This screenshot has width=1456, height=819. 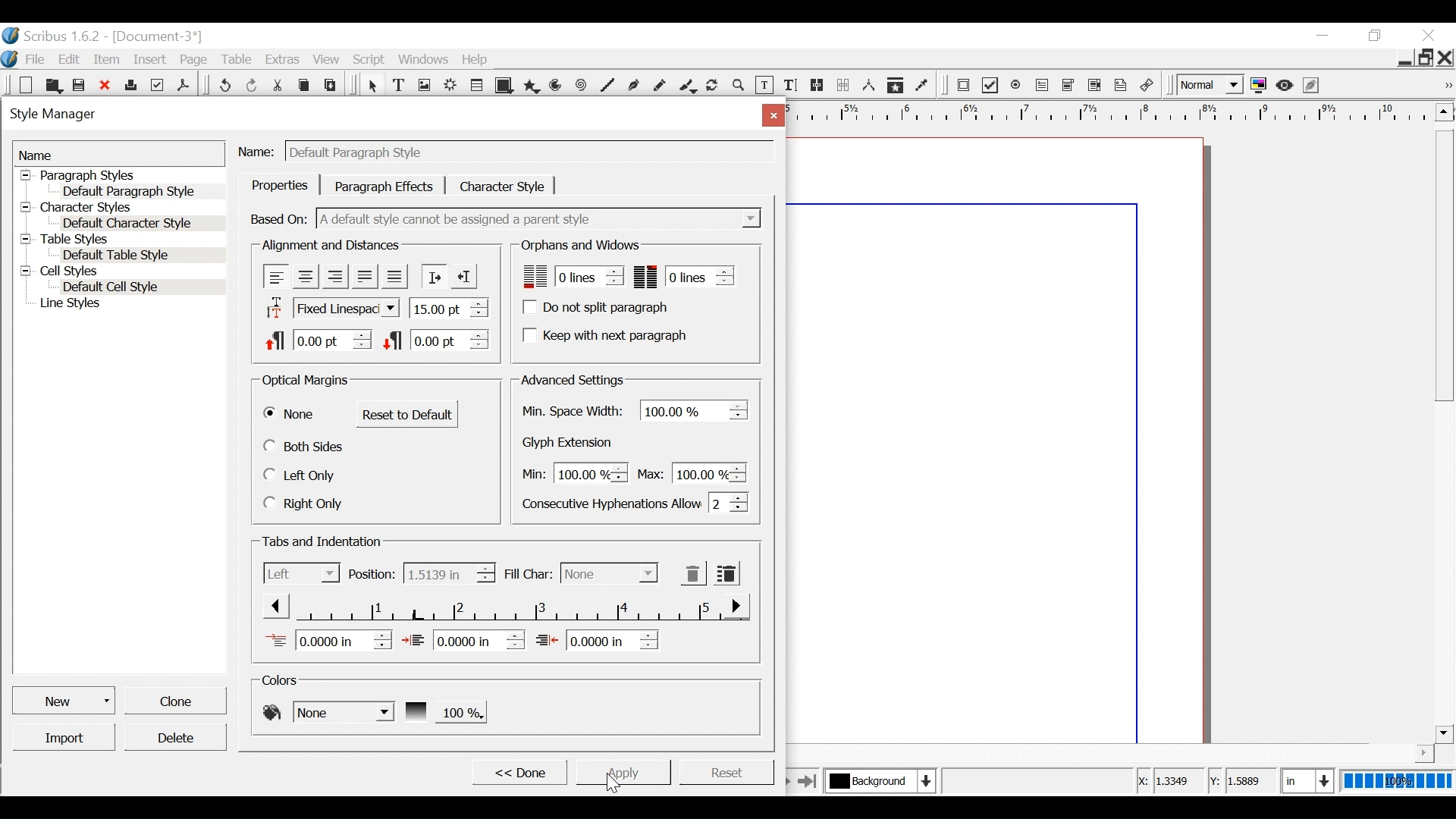 I want to click on Align Justified, so click(x=363, y=276).